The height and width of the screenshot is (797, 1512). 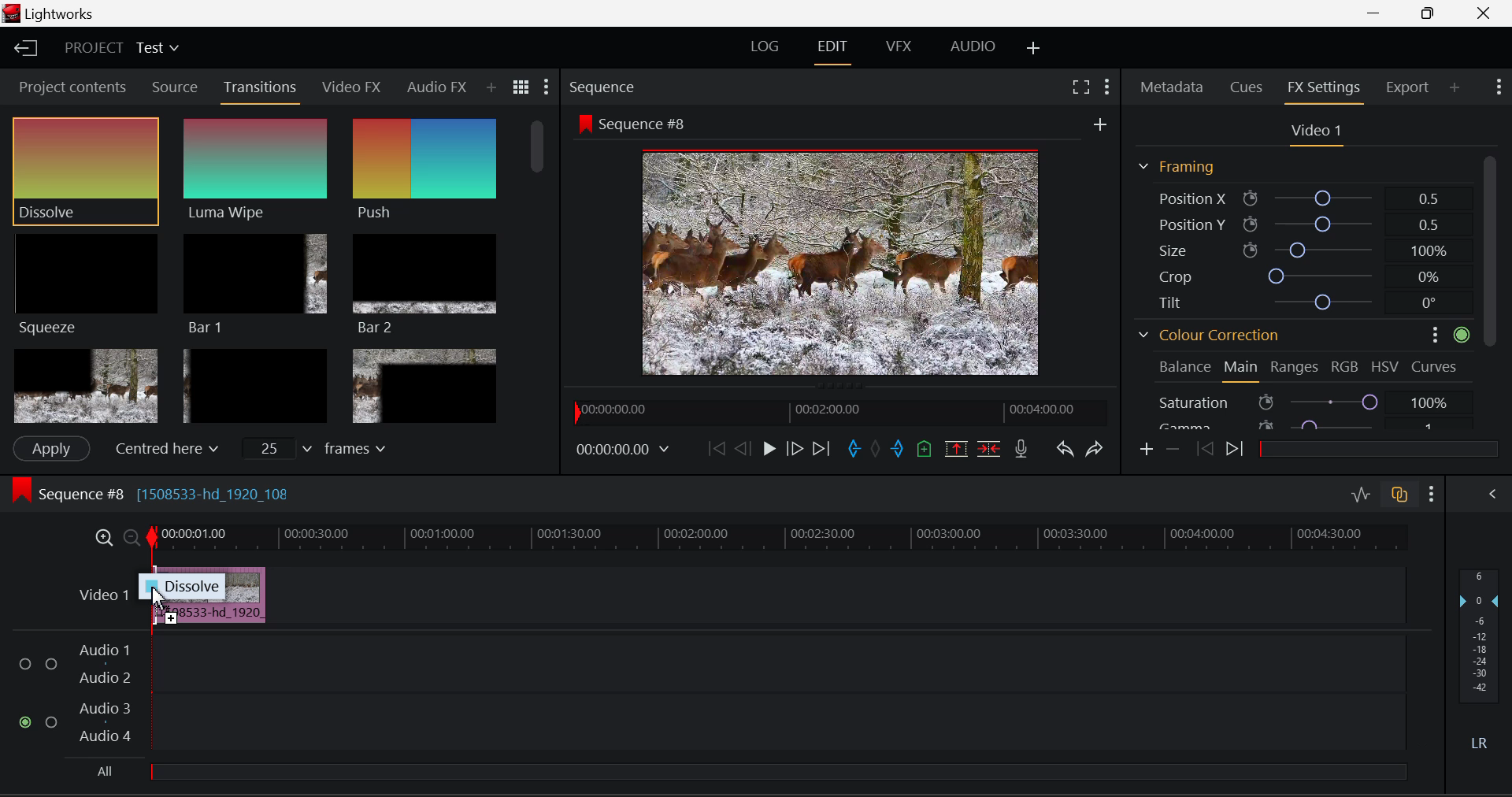 What do you see at coordinates (116, 169) in the screenshot?
I see `Cursor` at bounding box center [116, 169].